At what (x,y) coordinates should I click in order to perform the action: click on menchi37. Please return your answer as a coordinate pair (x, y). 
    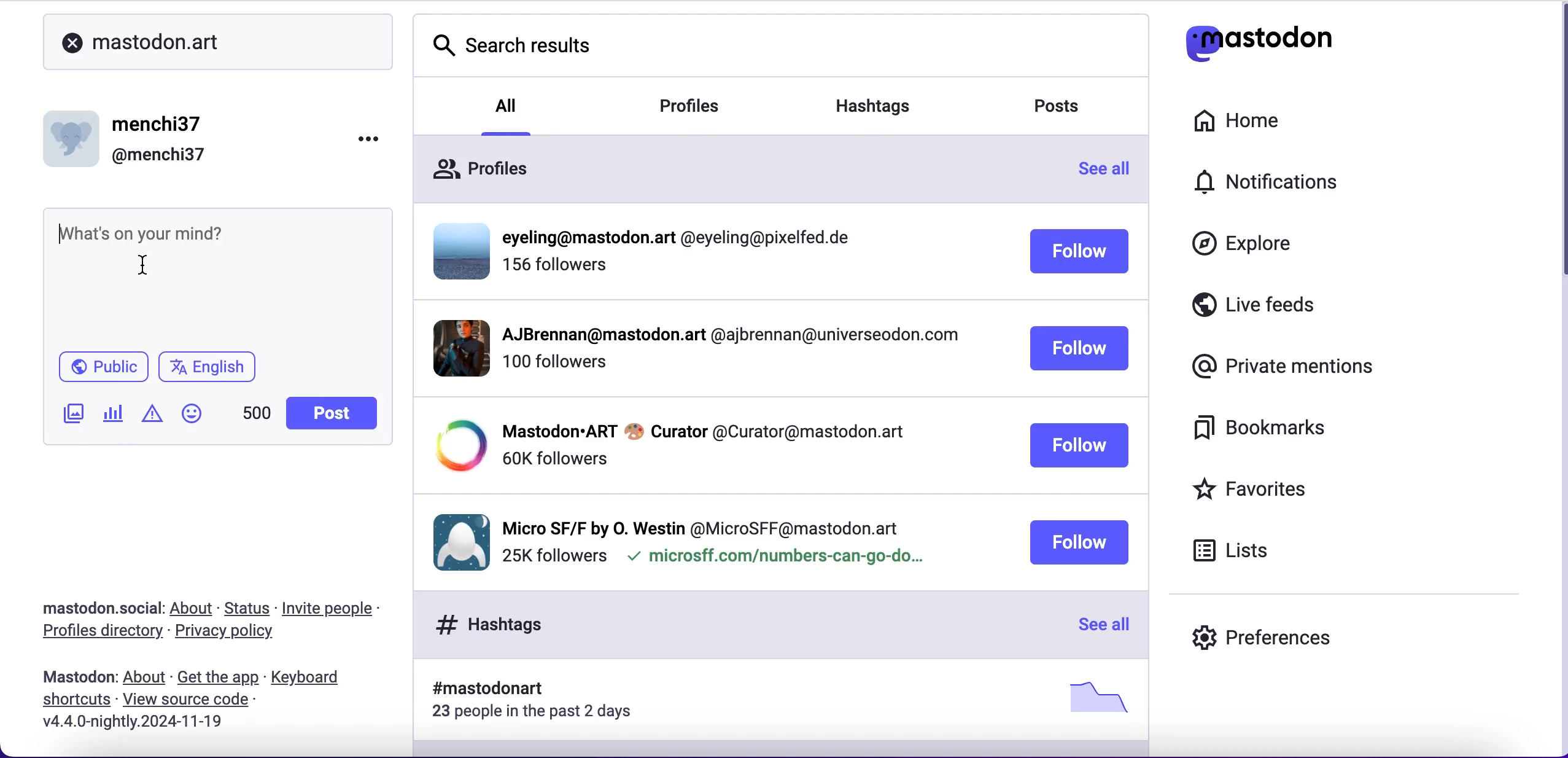
    Looking at the image, I should click on (159, 125).